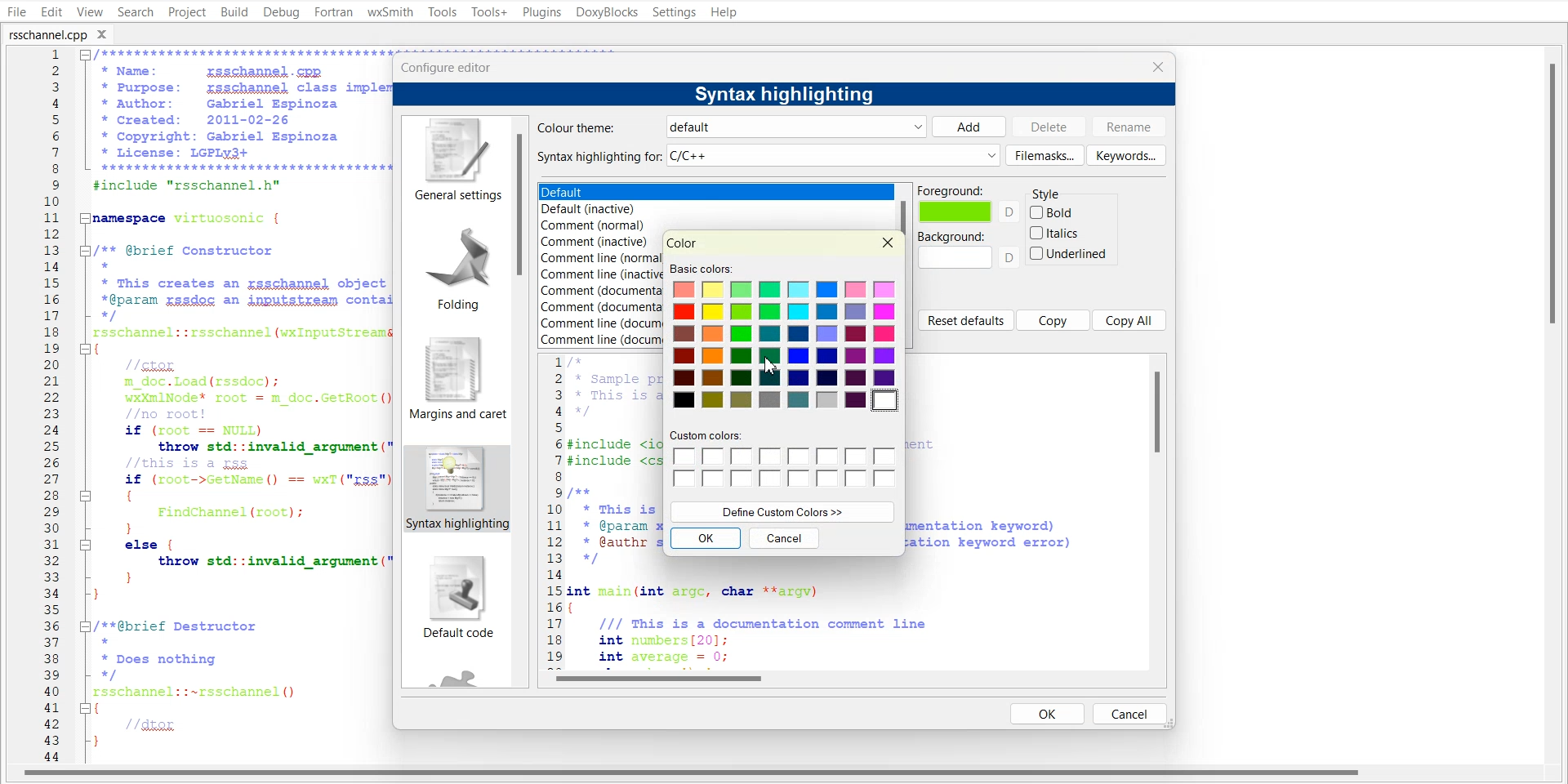 The image size is (1568, 784). I want to click on Margin and carpet, so click(452, 378).